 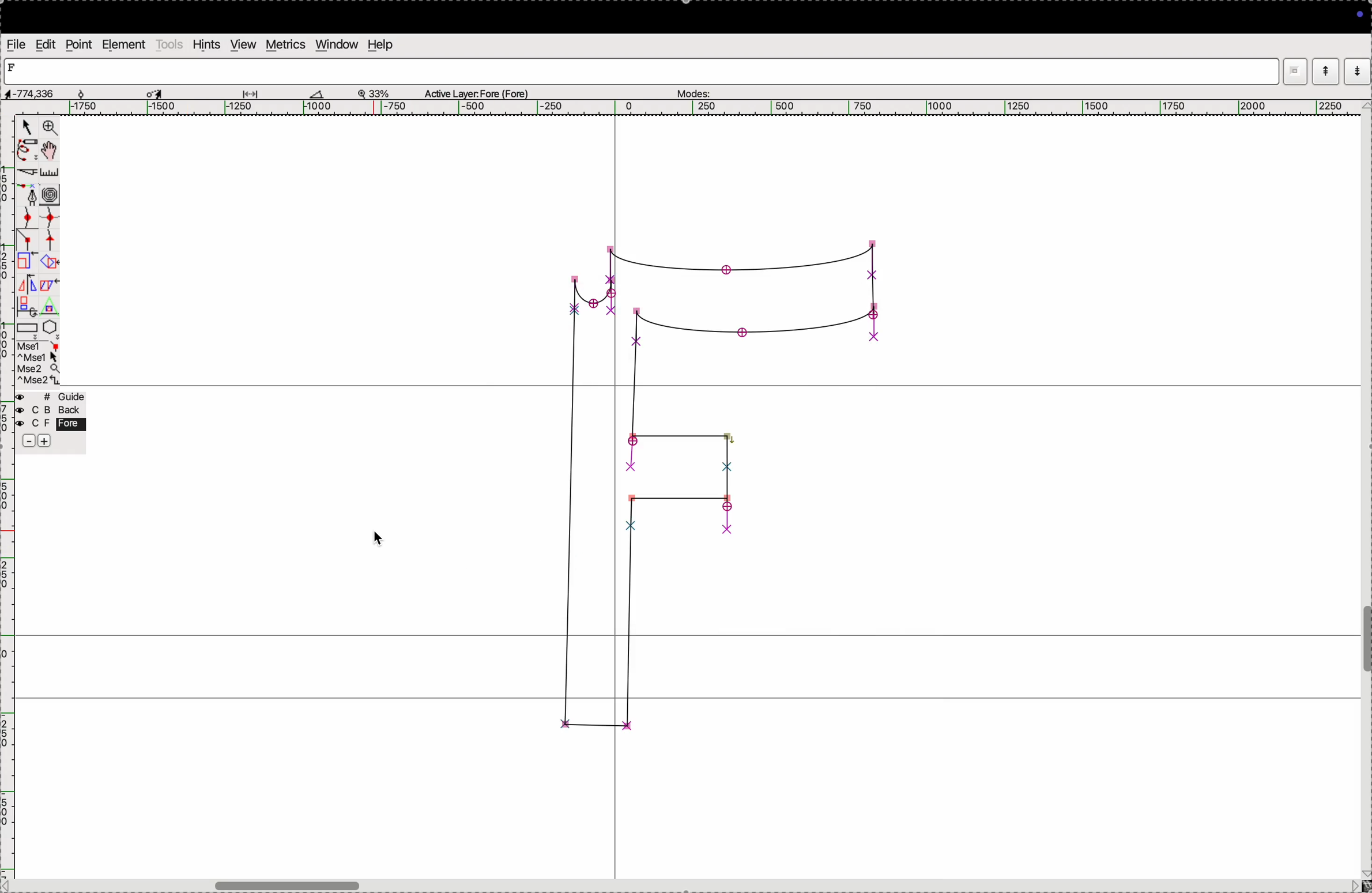 I want to click on add, so click(x=46, y=443).